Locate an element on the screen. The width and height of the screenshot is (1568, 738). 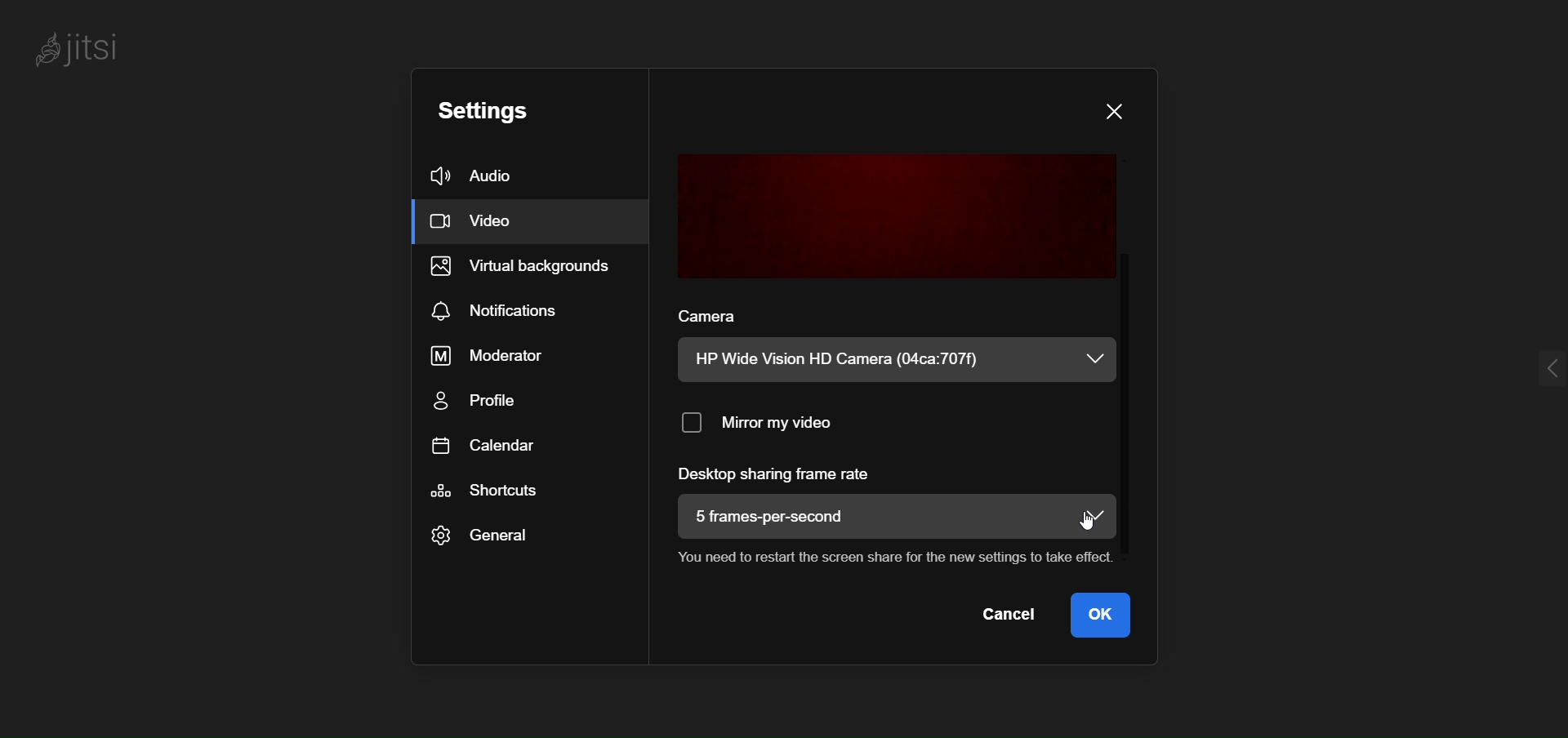
notification is located at coordinates (505, 309).